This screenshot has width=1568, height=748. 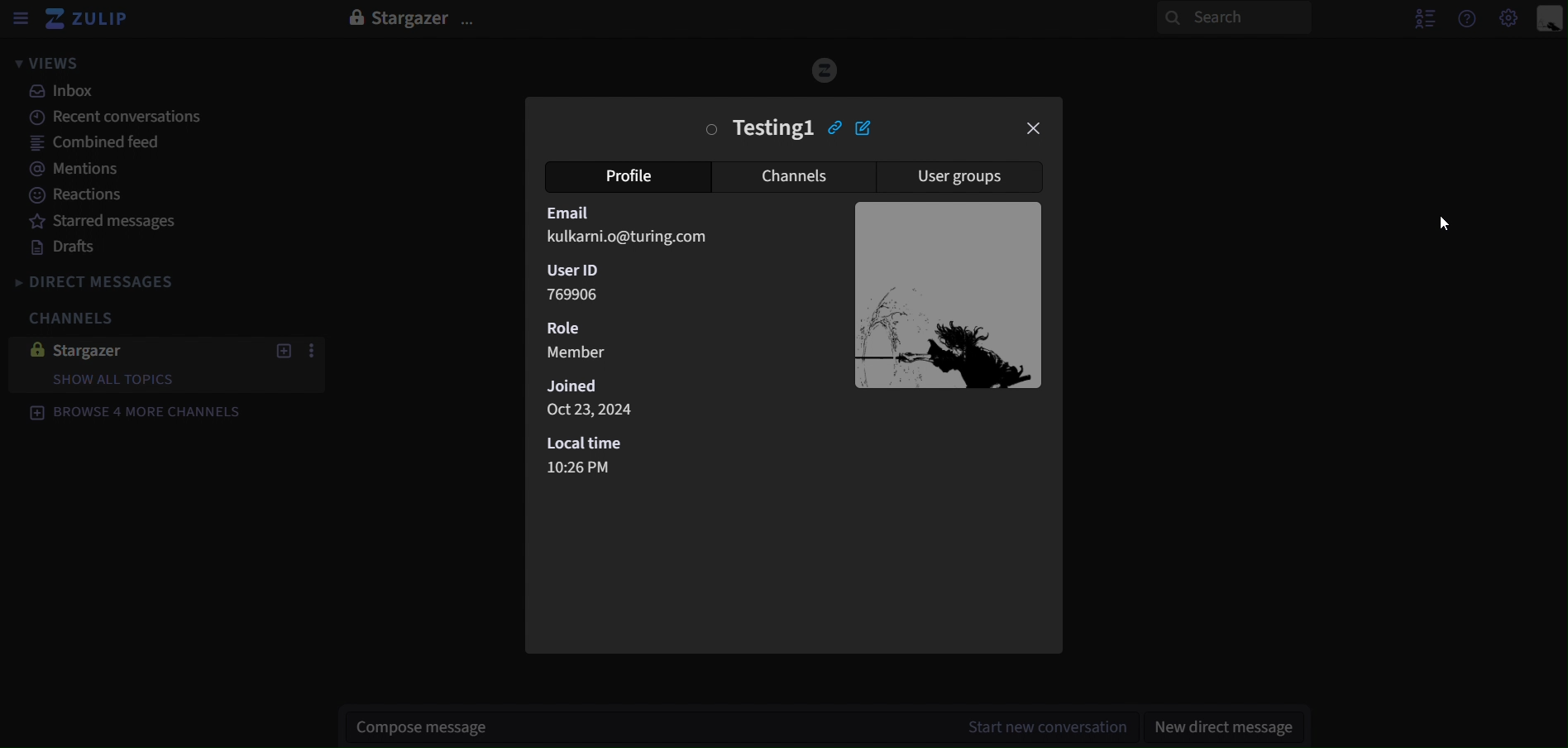 What do you see at coordinates (78, 349) in the screenshot?
I see `stargazer` at bounding box center [78, 349].